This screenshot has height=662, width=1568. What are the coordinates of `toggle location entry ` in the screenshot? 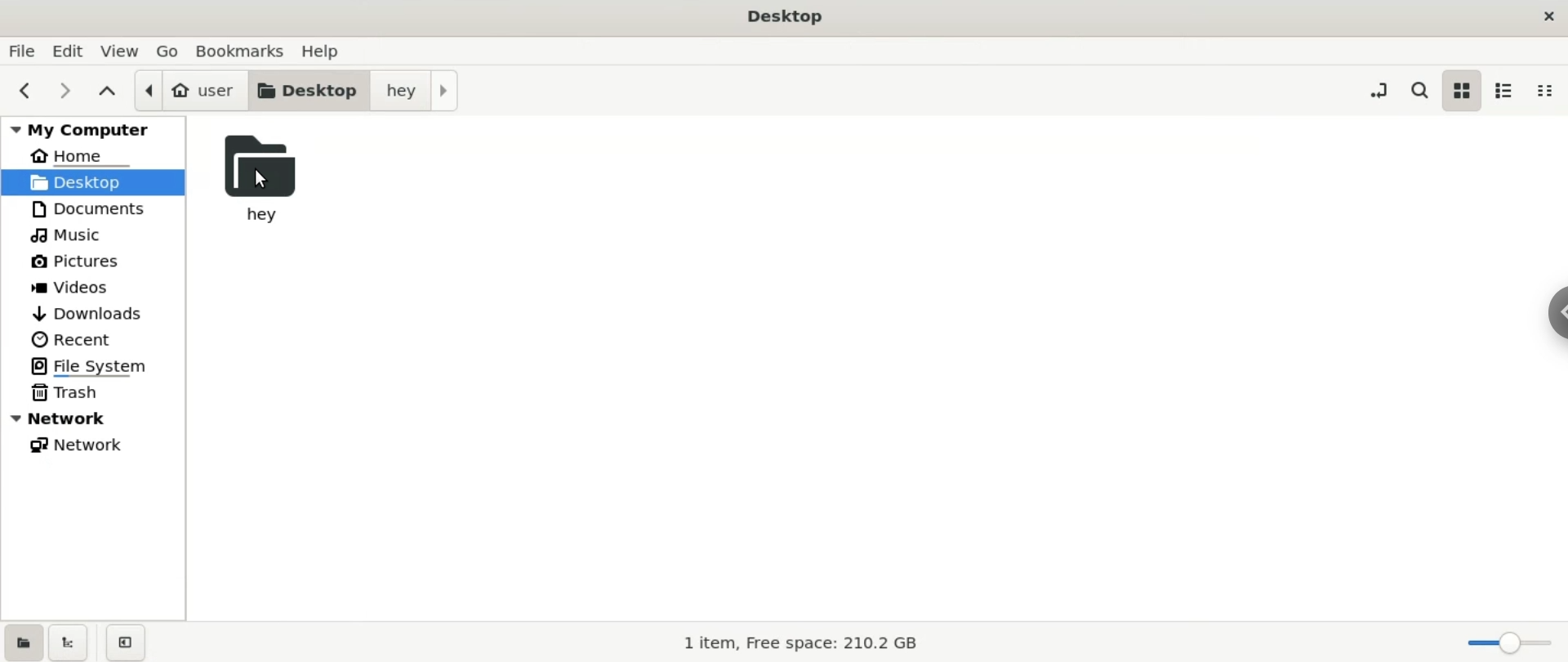 It's located at (1375, 86).